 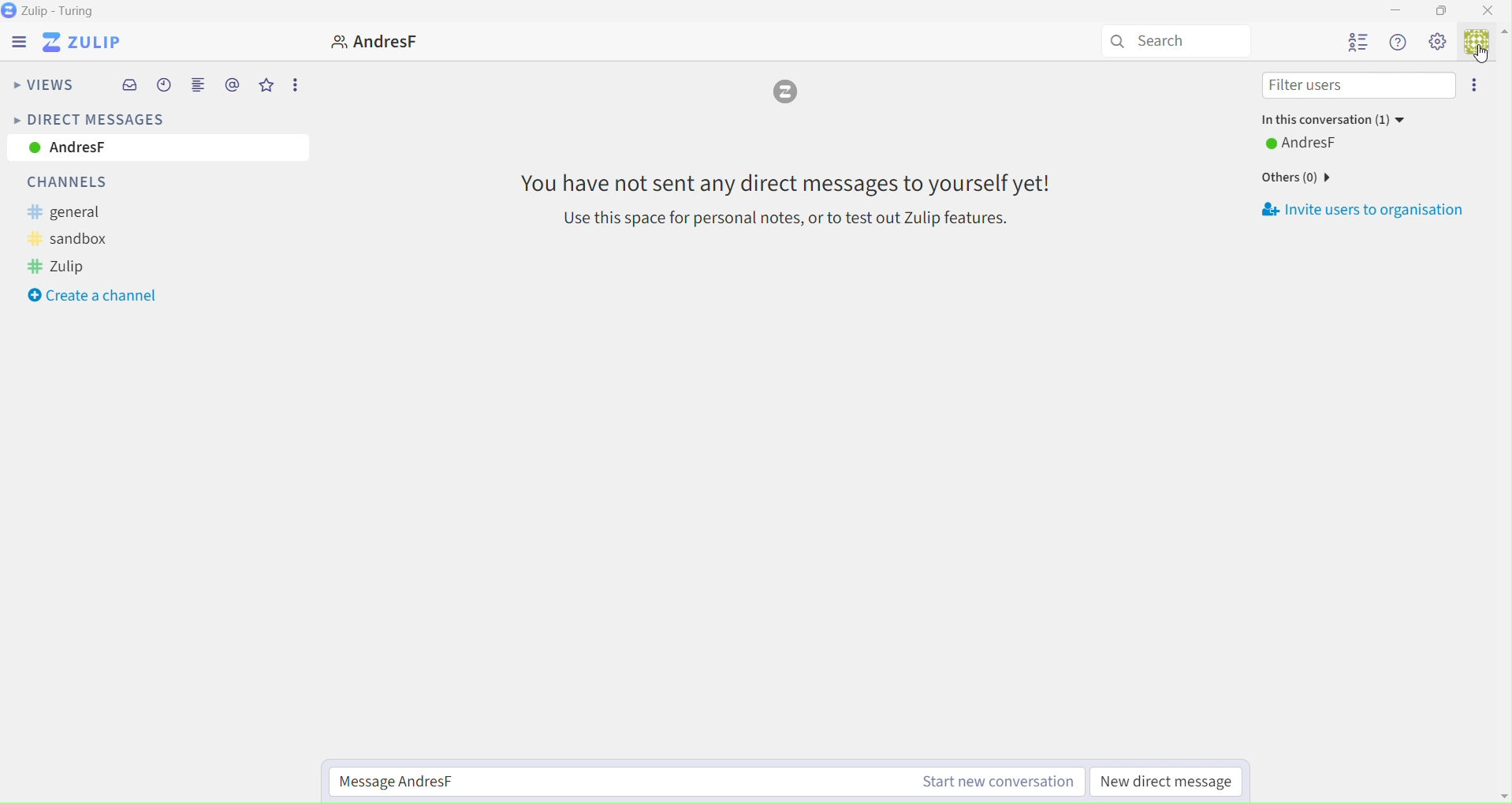 What do you see at coordinates (93, 297) in the screenshot?
I see `Create a Channel` at bounding box center [93, 297].